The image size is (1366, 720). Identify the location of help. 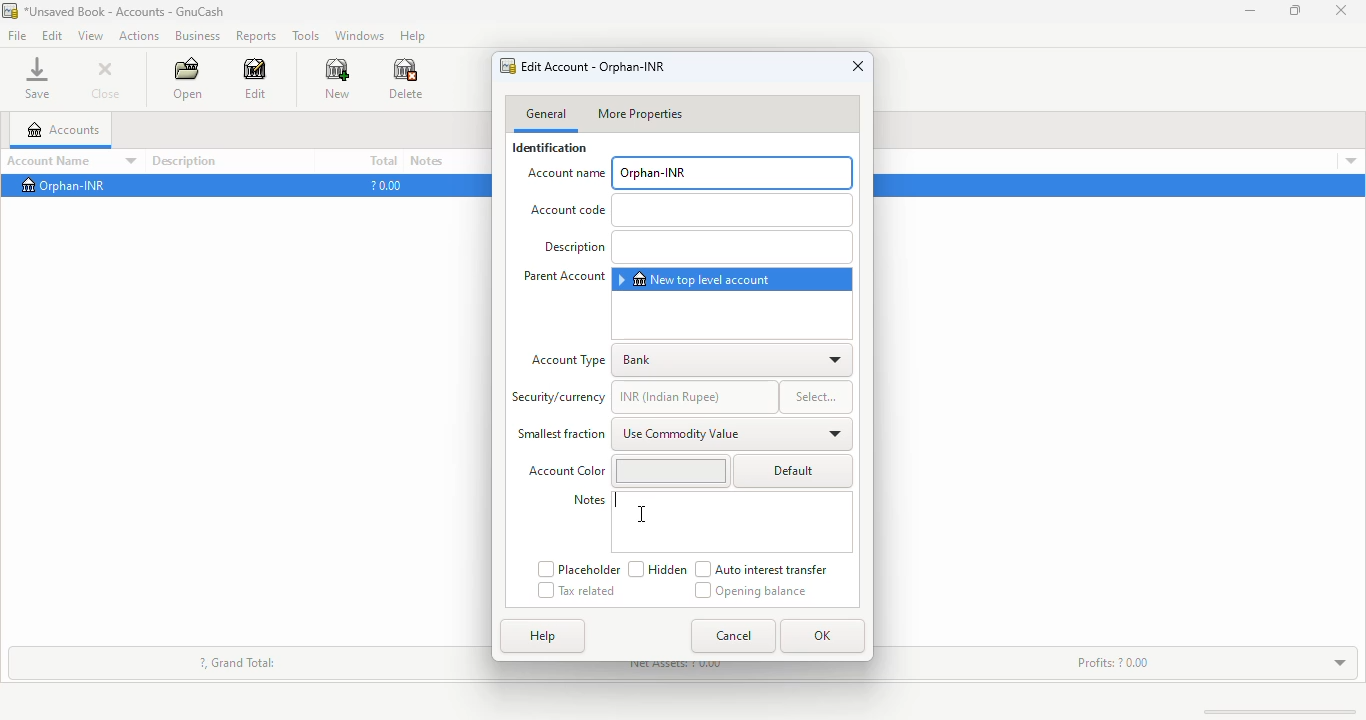
(542, 636).